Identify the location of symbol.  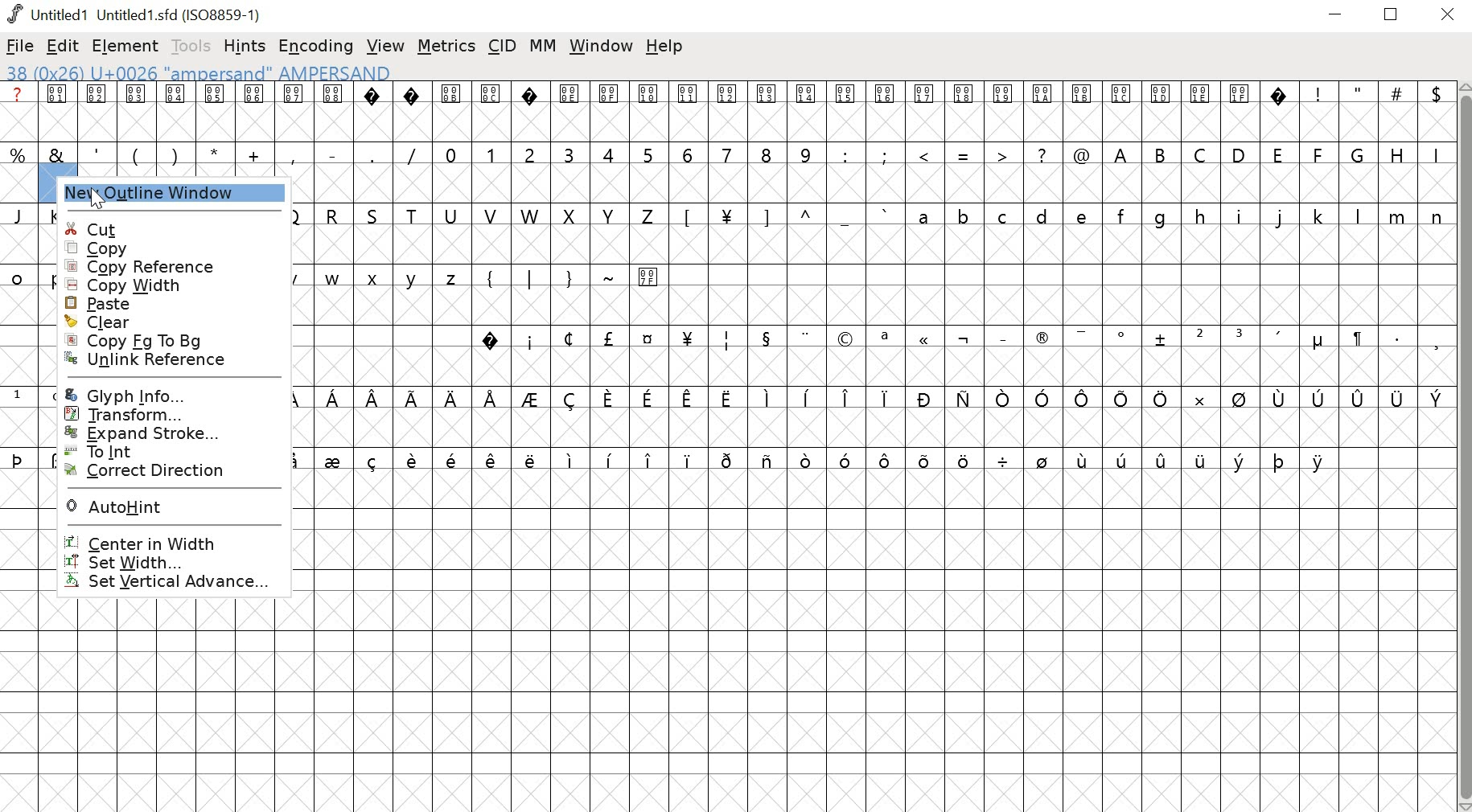
(530, 459).